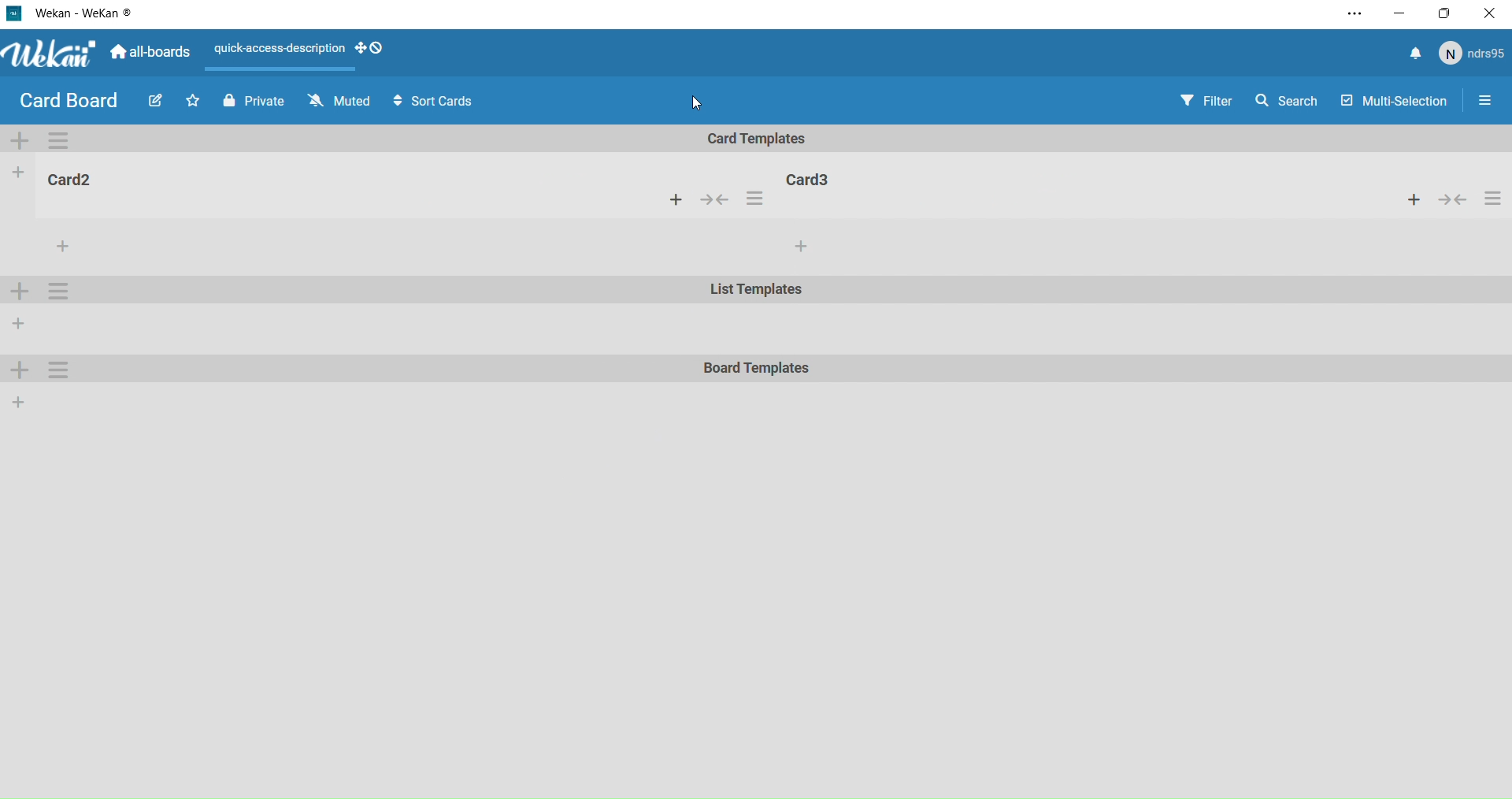  I want to click on cursor, so click(696, 102).